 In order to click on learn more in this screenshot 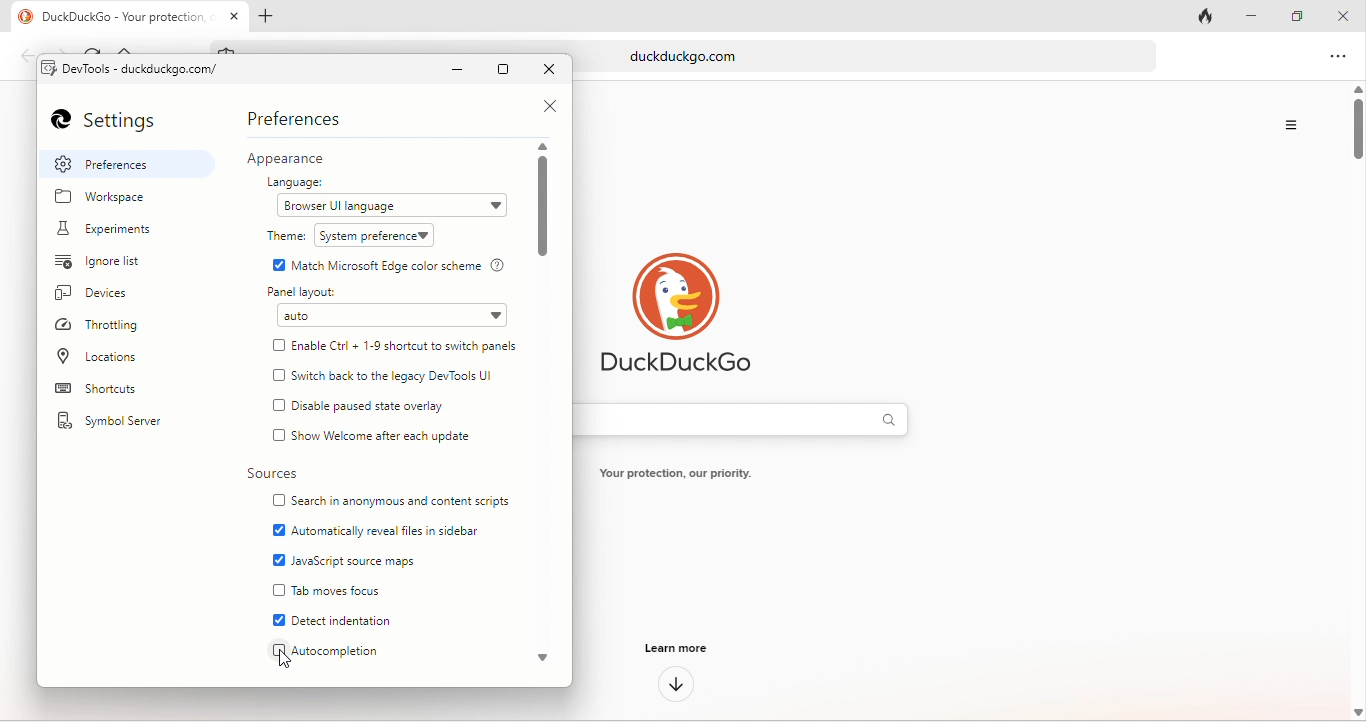, I will do `click(673, 651)`.